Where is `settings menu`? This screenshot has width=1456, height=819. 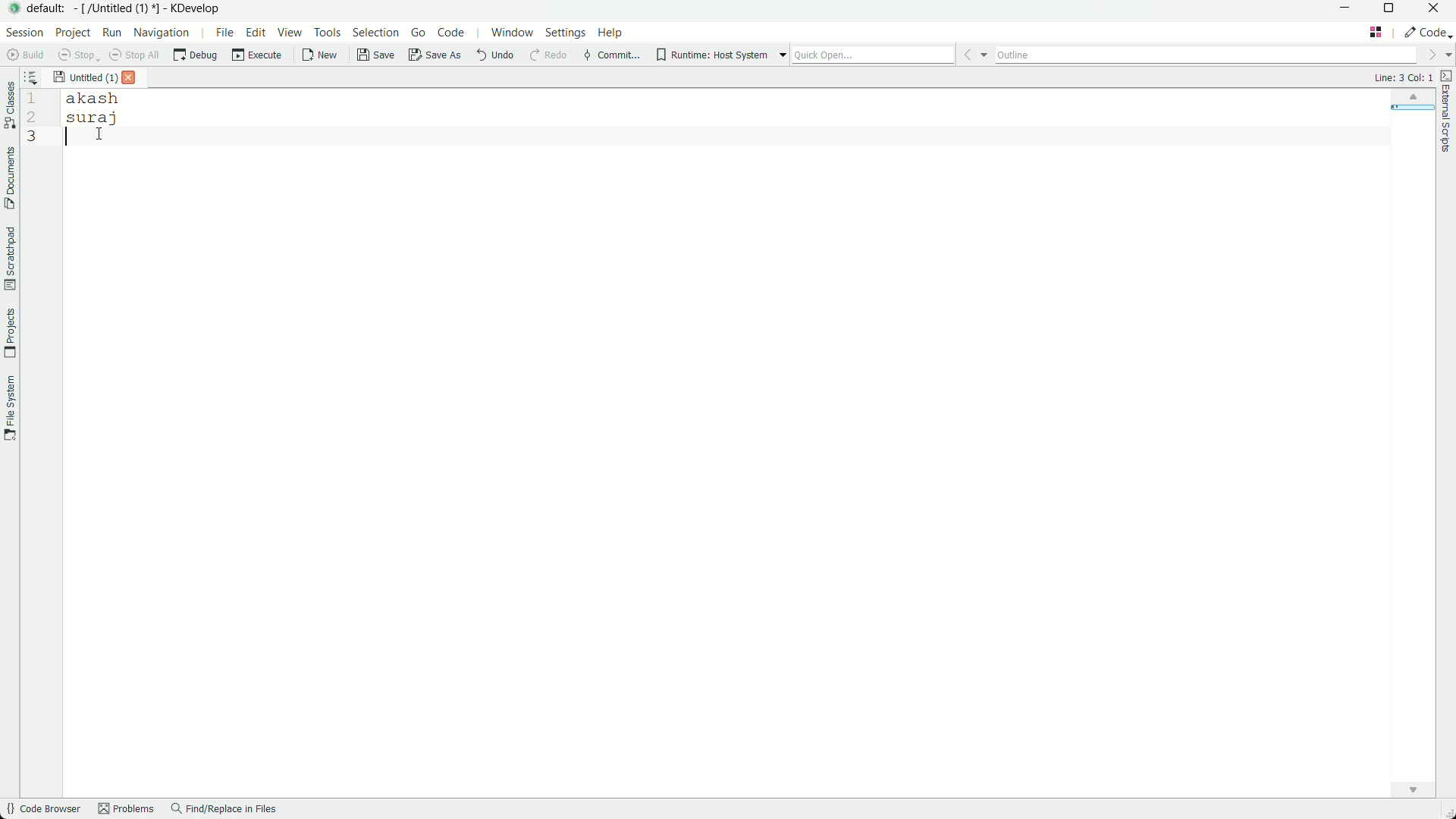 settings menu is located at coordinates (566, 33).